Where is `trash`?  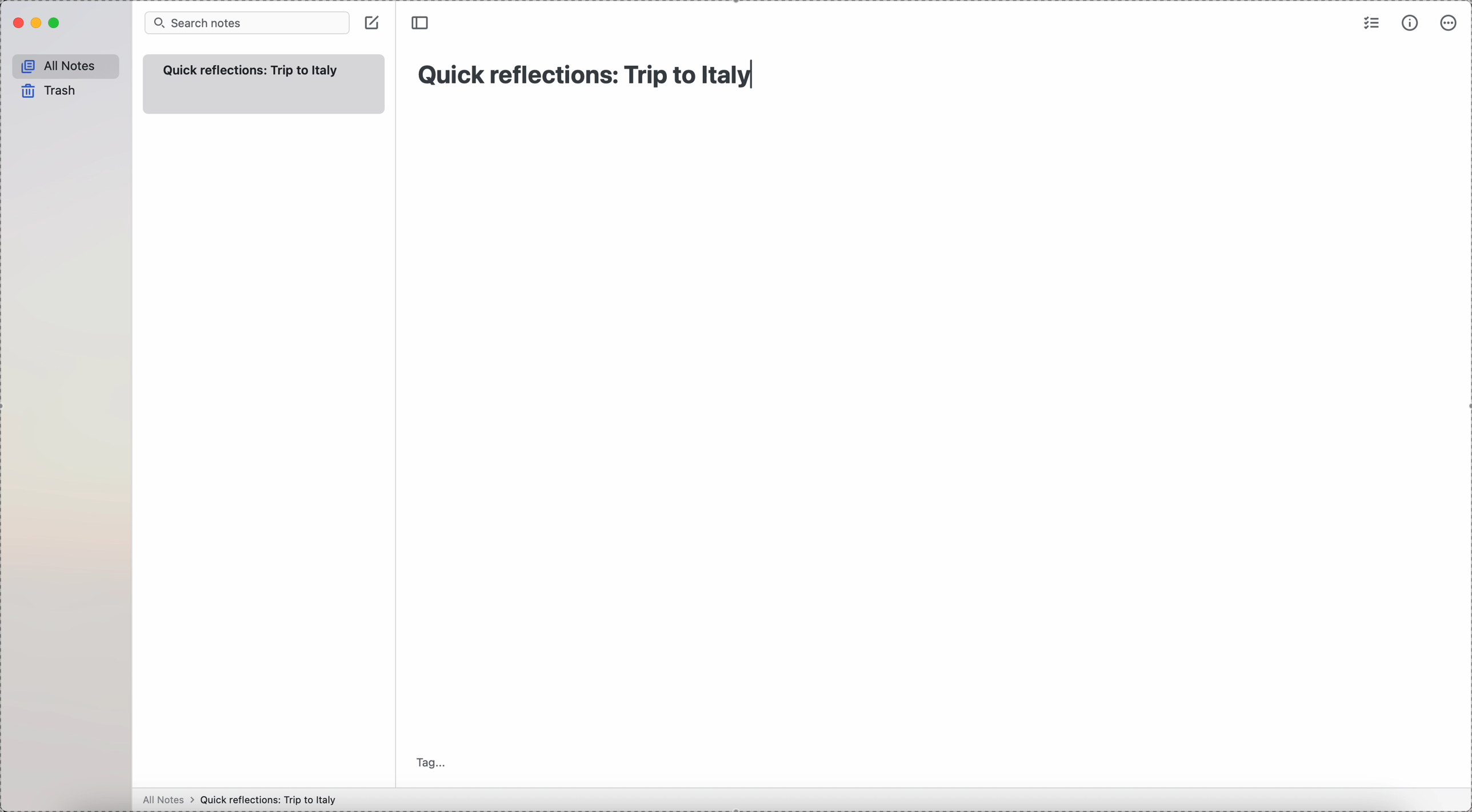 trash is located at coordinates (47, 91).